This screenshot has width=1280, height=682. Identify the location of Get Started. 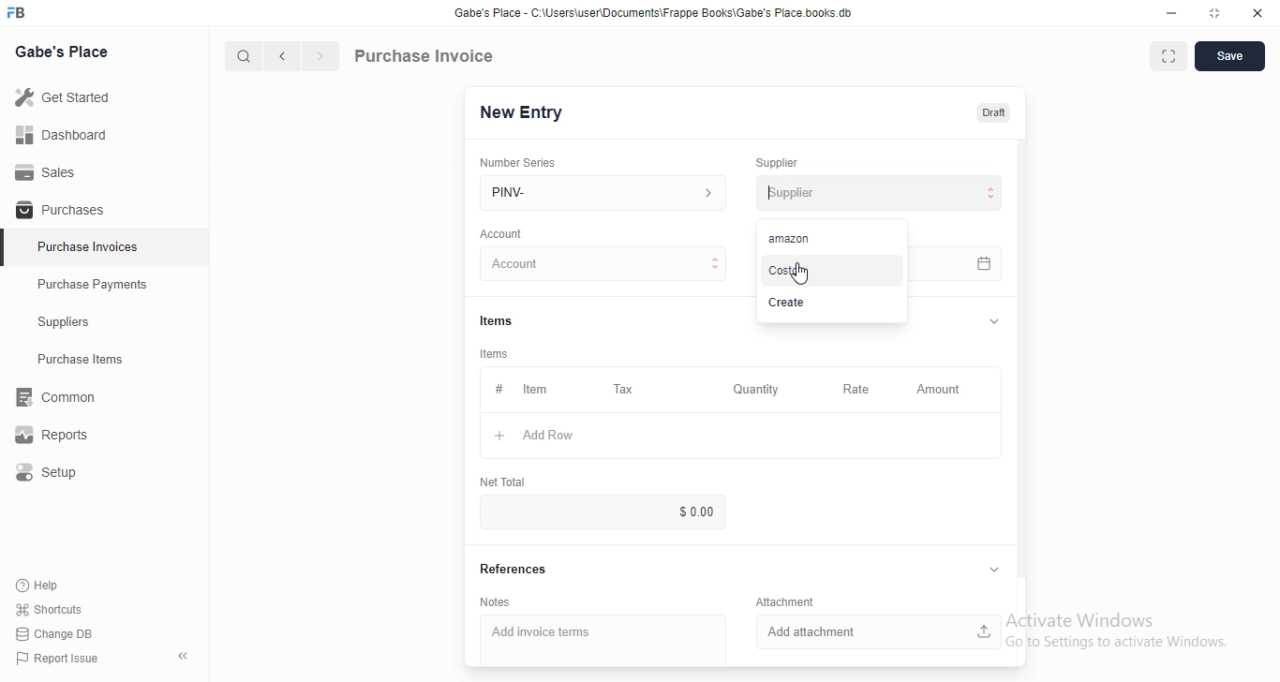
(104, 97).